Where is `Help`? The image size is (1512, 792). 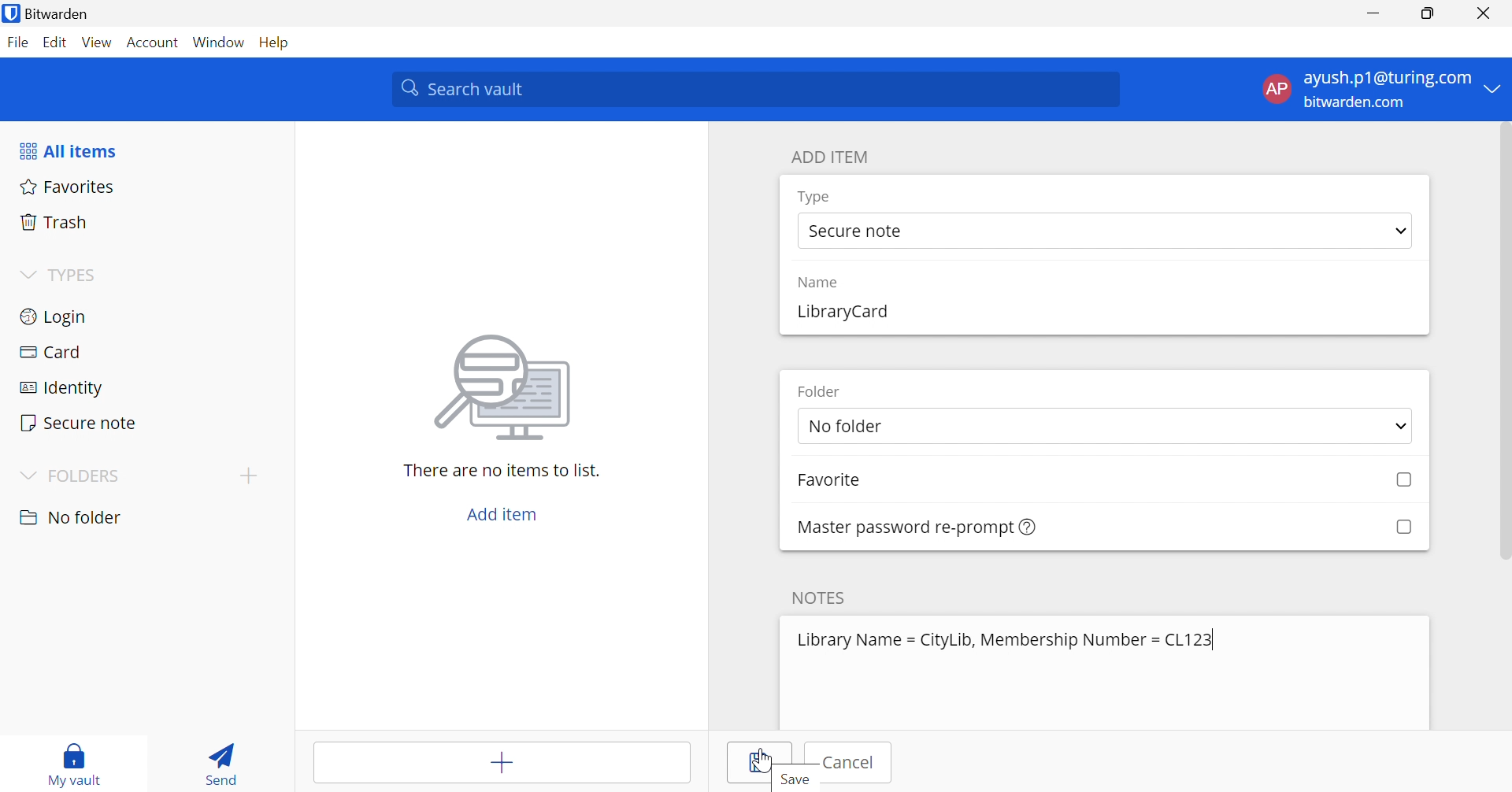
Help is located at coordinates (281, 43).